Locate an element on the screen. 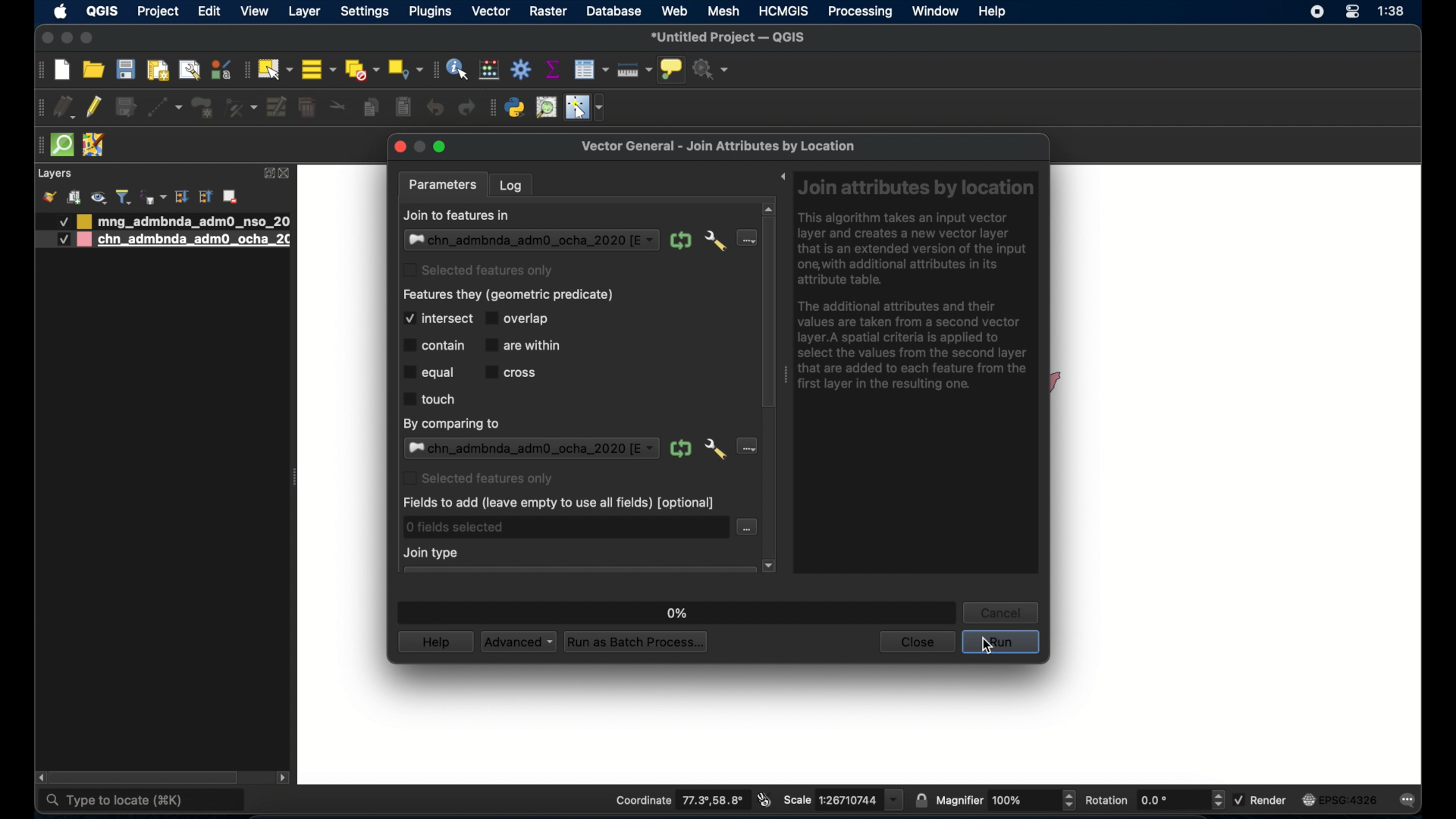  select features only checkbox is located at coordinates (479, 477).